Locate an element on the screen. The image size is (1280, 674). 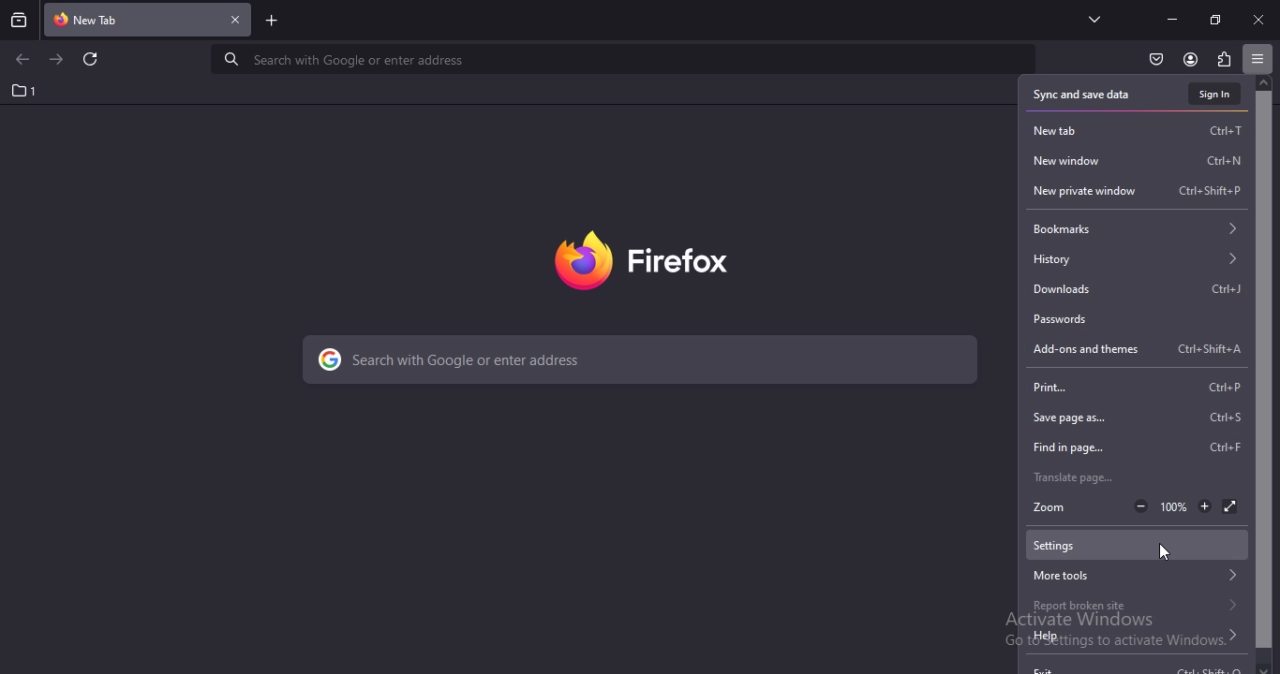
account is located at coordinates (1190, 60).